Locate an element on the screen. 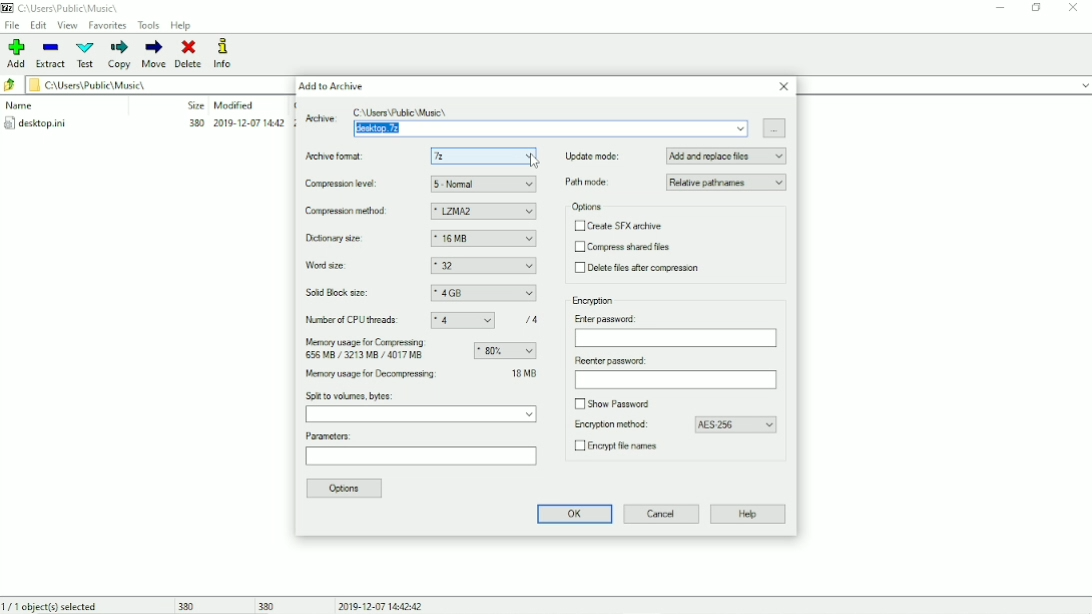 This screenshot has height=614, width=1092. Close is located at coordinates (1074, 7).